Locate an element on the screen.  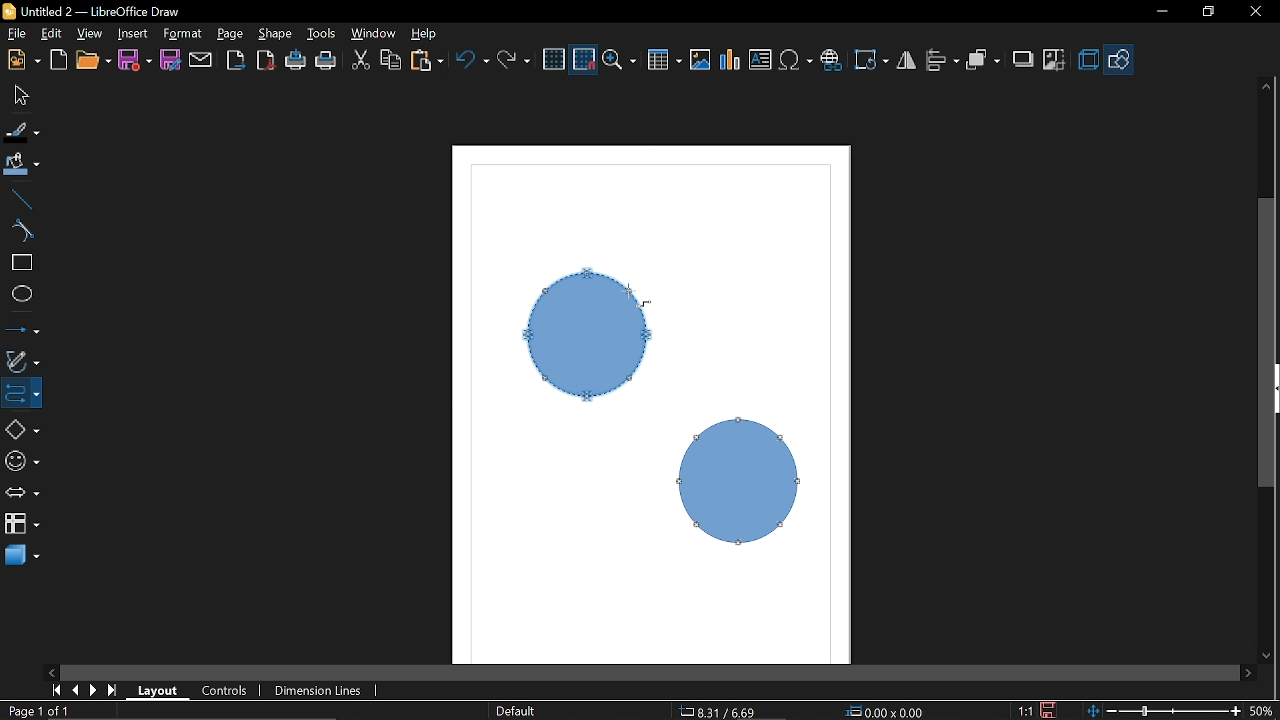
next page is located at coordinates (94, 689).